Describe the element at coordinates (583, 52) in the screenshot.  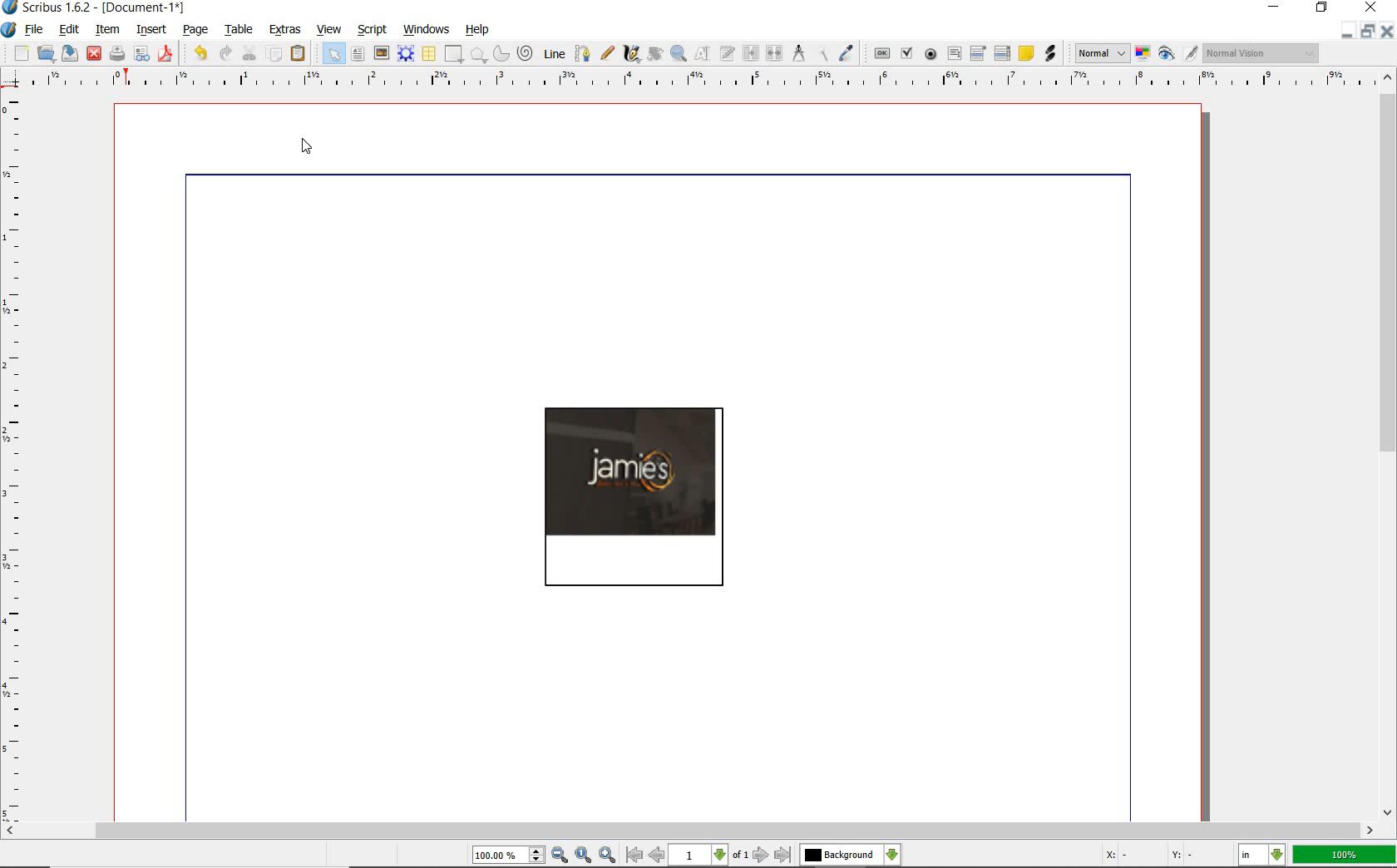
I see `Bezier curve` at that location.